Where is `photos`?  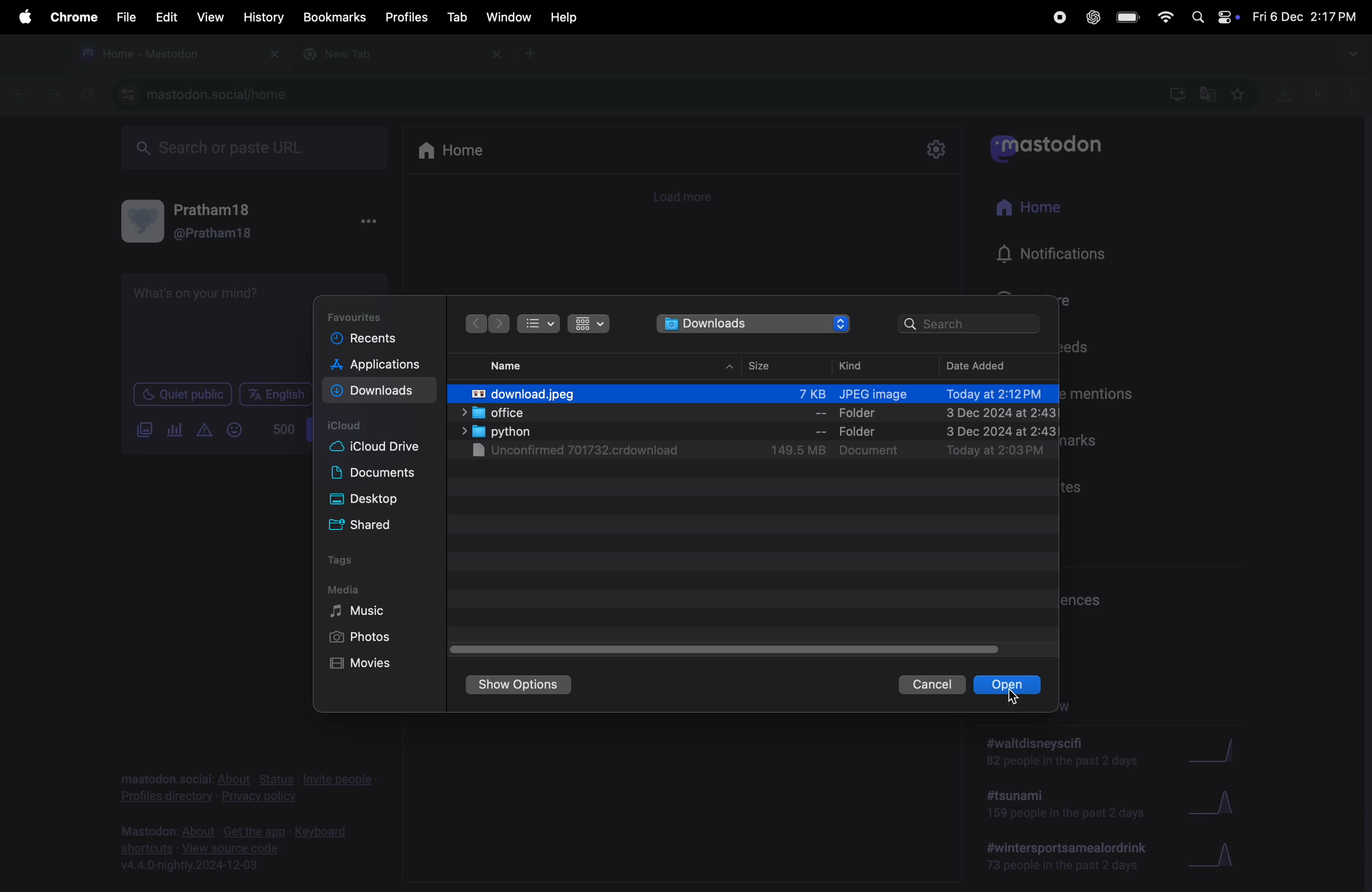 photos is located at coordinates (357, 638).